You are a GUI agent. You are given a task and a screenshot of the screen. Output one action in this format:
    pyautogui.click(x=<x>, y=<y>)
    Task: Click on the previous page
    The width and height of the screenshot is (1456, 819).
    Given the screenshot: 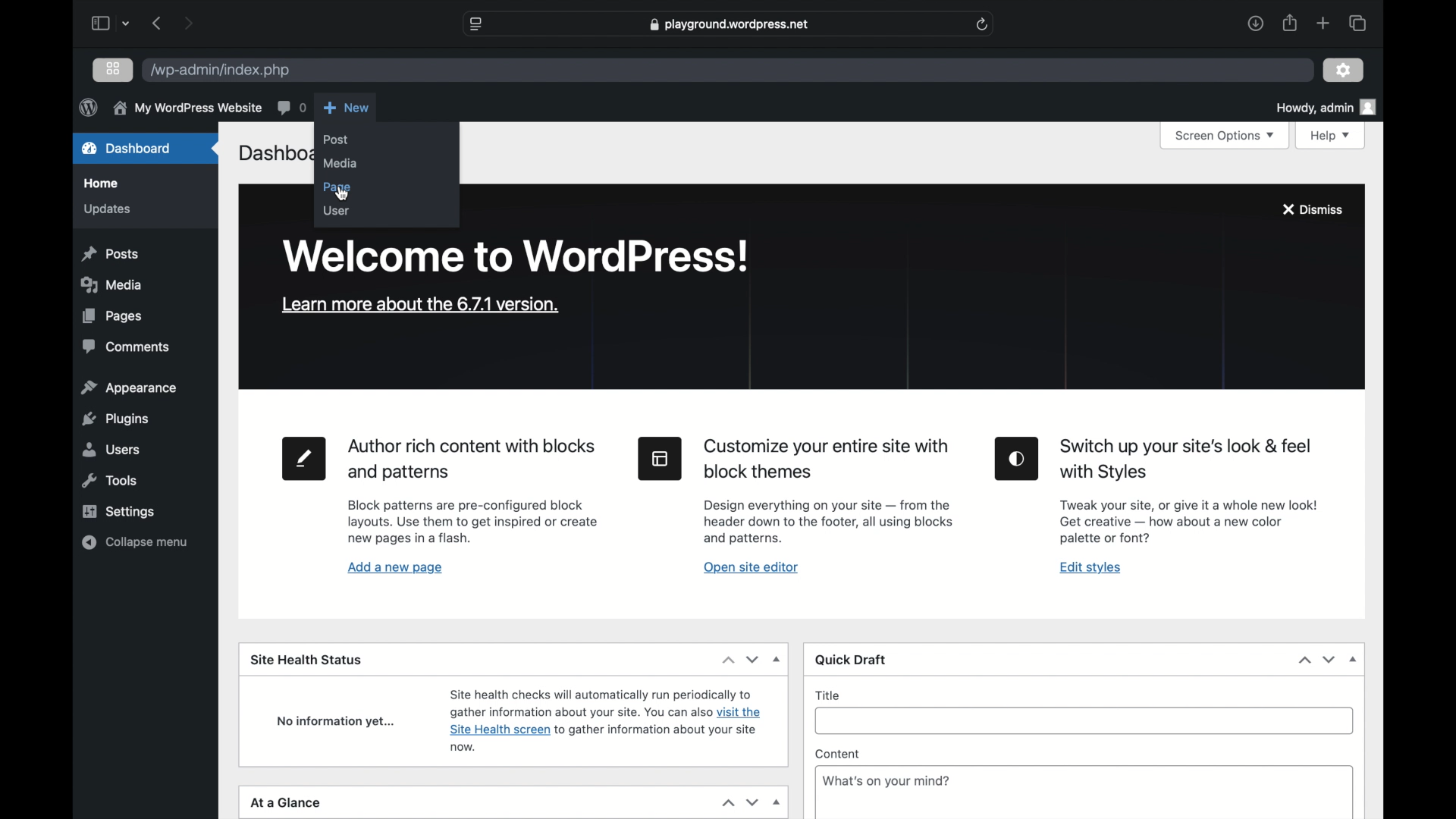 What is the action you would take?
    pyautogui.click(x=158, y=24)
    